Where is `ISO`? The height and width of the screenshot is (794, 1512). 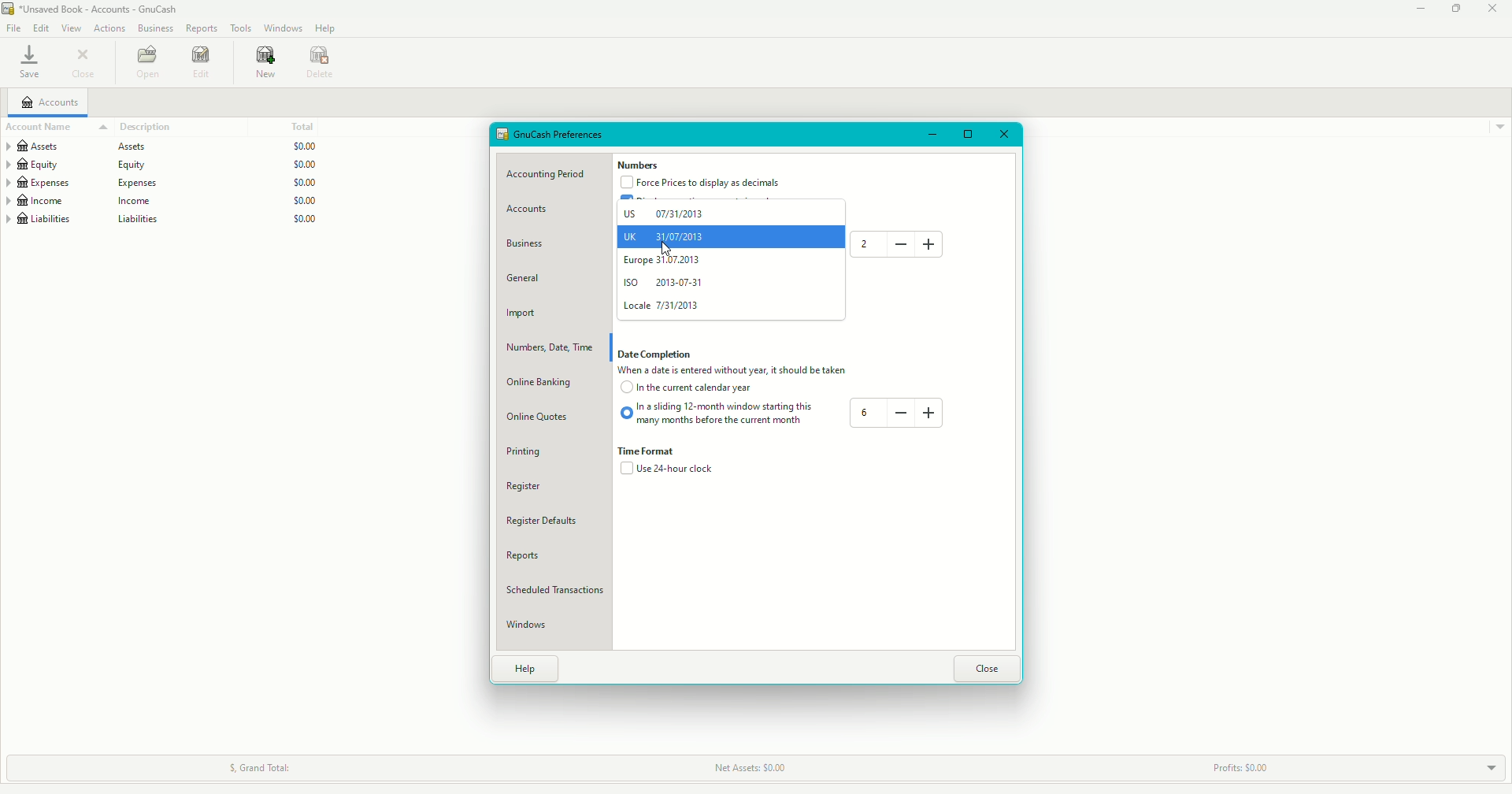 ISO is located at coordinates (667, 284).